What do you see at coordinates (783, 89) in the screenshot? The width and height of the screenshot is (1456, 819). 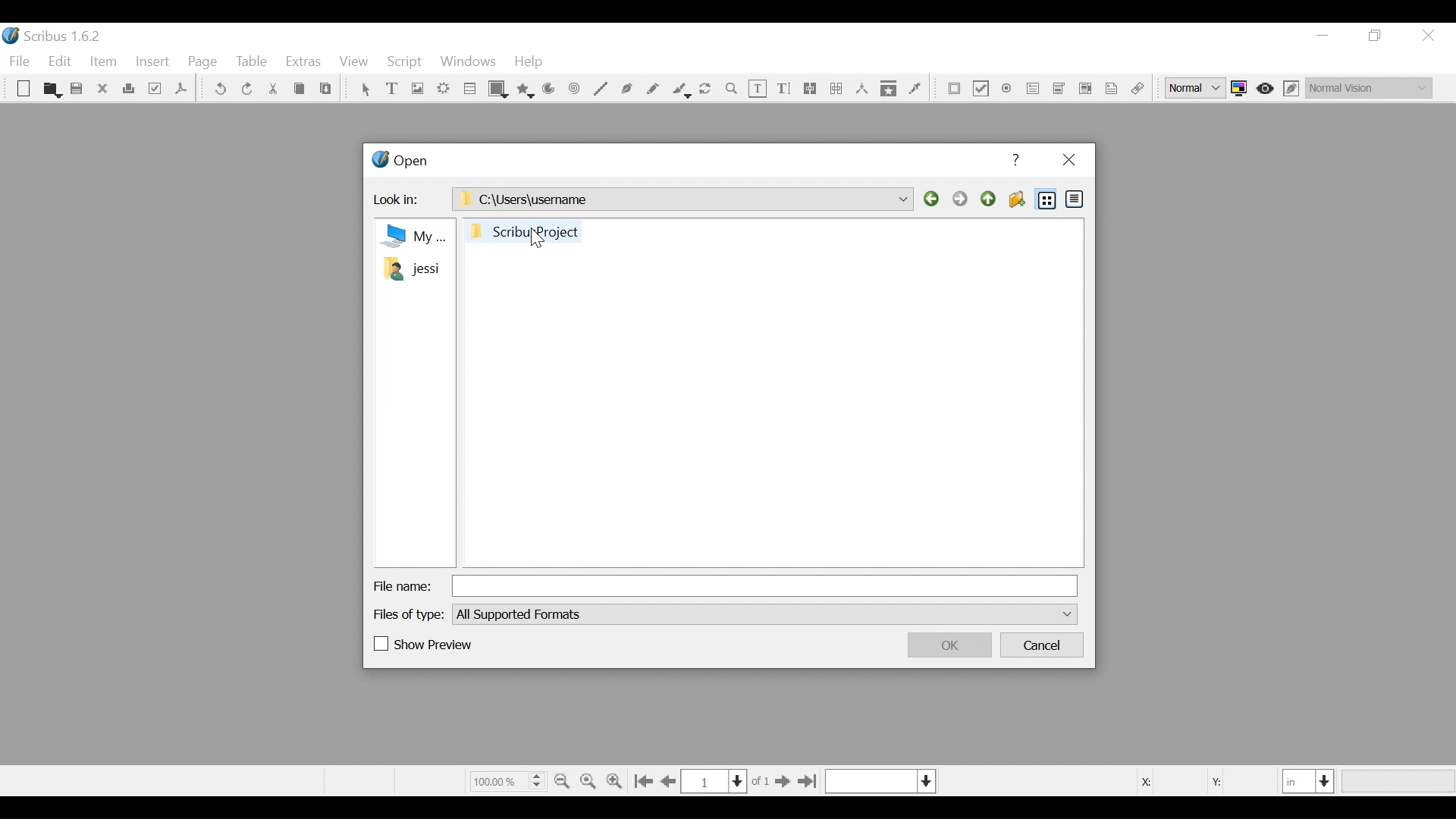 I see `Edit Content Text Story Editor` at bounding box center [783, 89].